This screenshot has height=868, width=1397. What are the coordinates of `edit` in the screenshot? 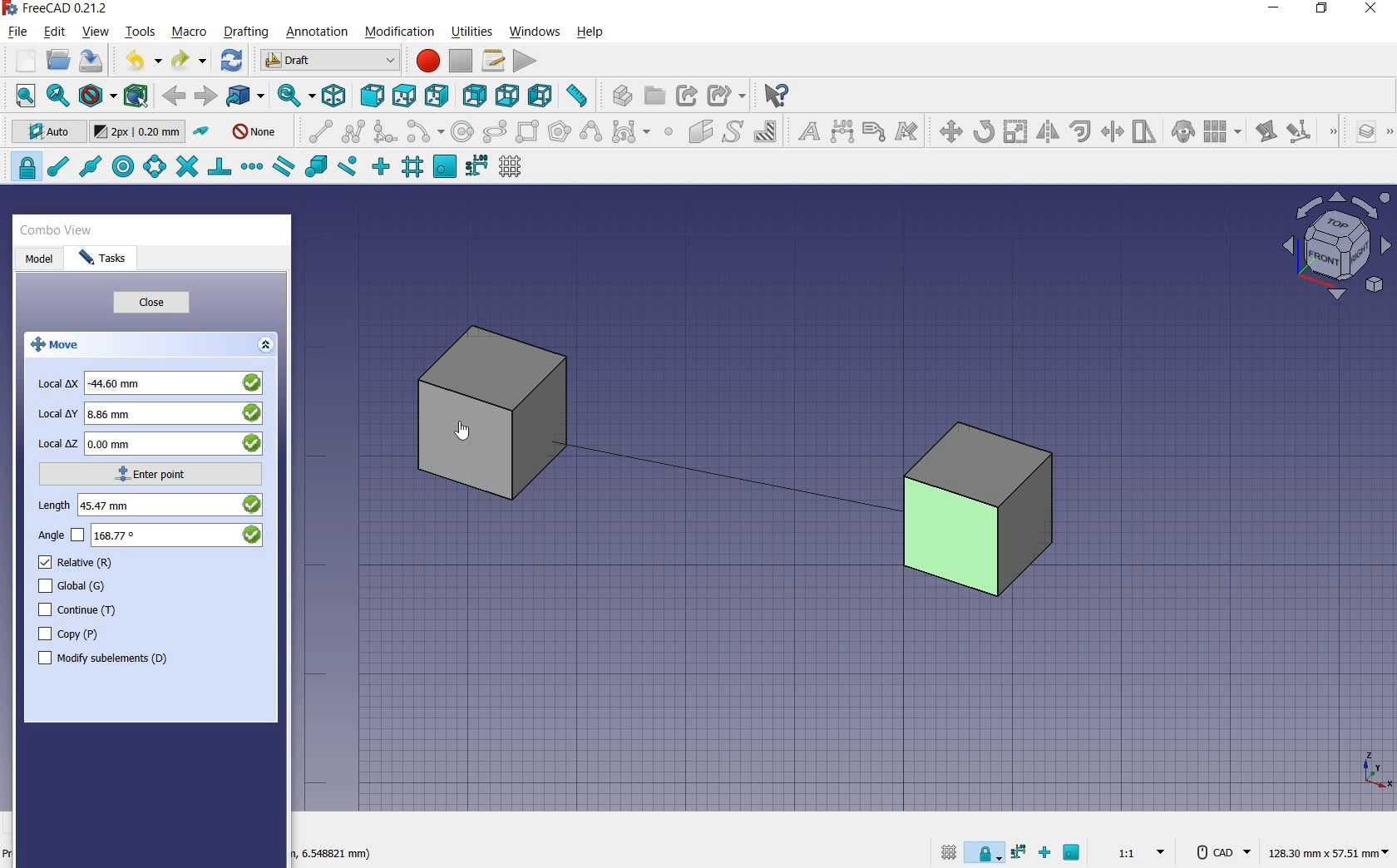 It's located at (1266, 131).